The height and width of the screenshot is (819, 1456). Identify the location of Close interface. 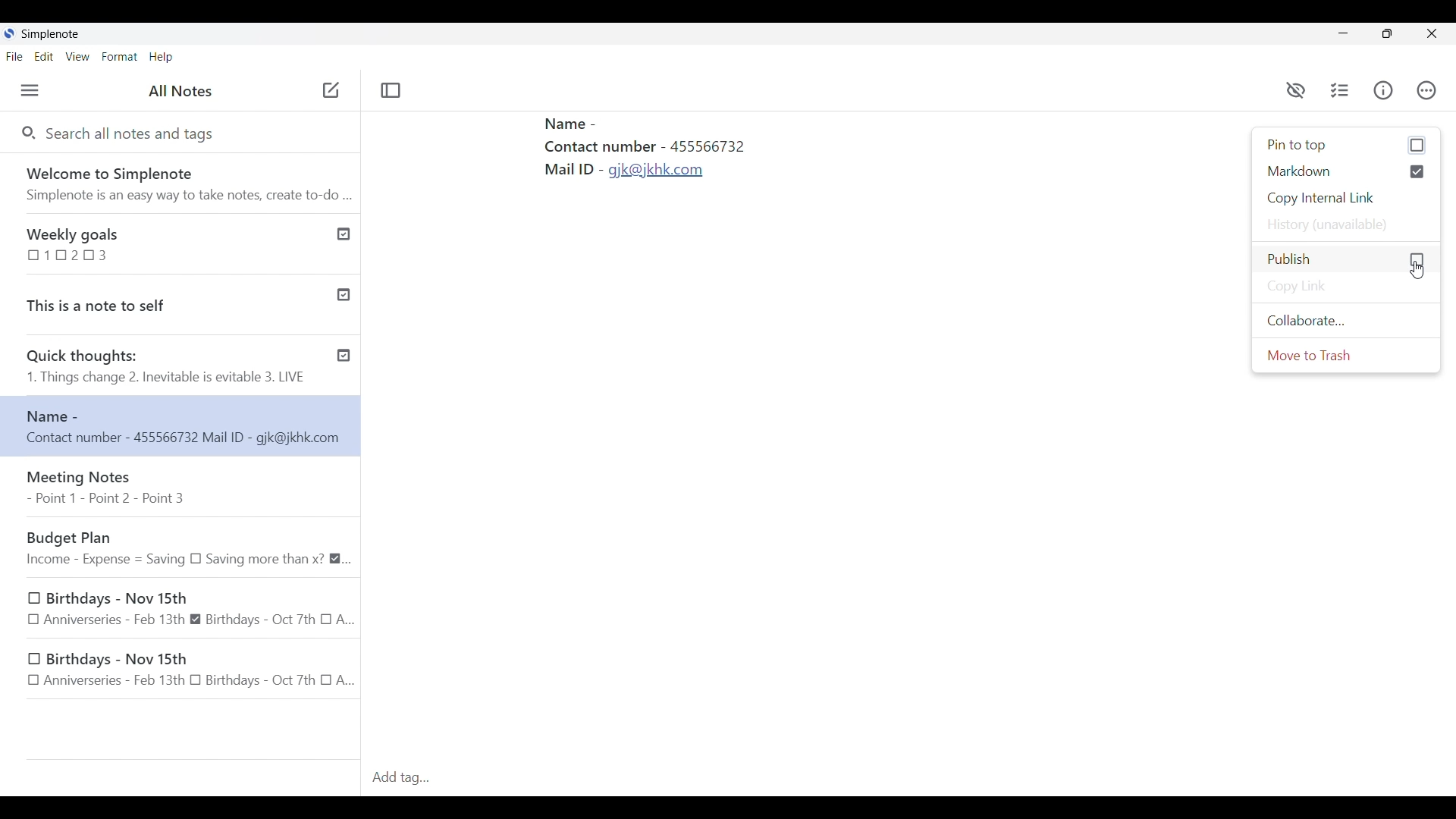
(1431, 33).